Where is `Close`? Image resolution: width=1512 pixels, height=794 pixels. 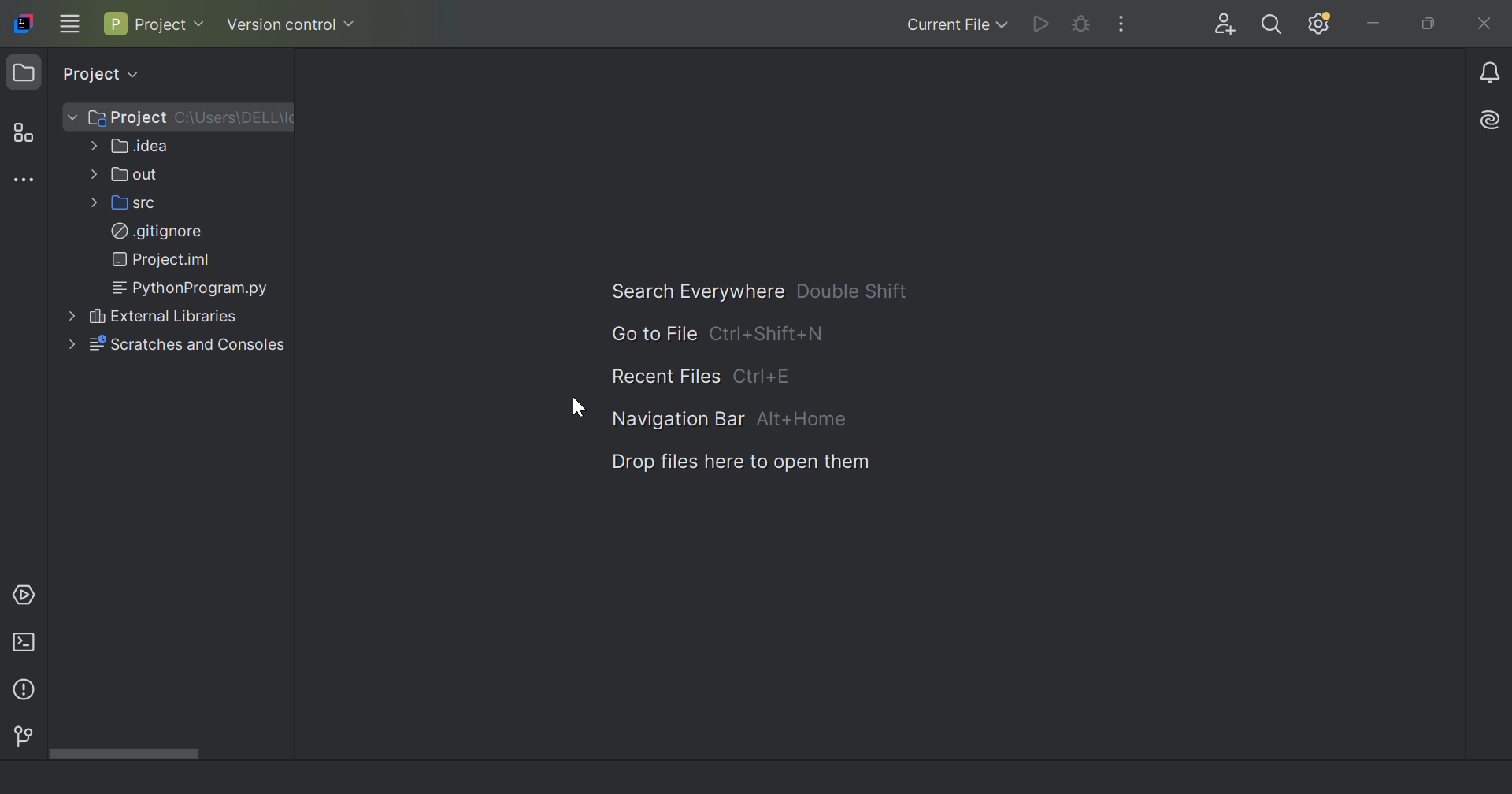 Close is located at coordinates (1488, 25).